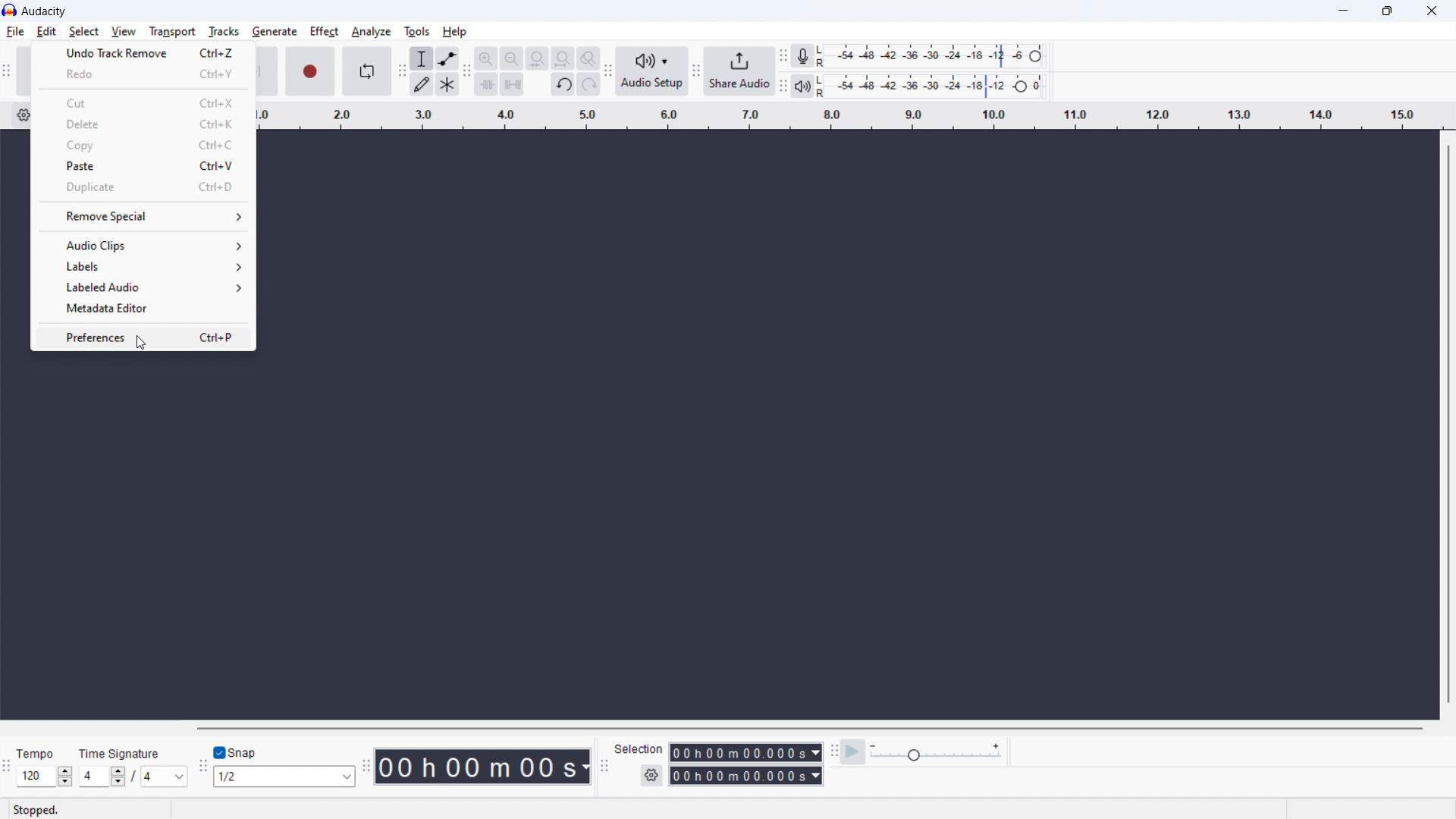  What do you see at coordinates (653, 71) in the screenshot?
I see `audio setup` at bounding box center [653, 71].